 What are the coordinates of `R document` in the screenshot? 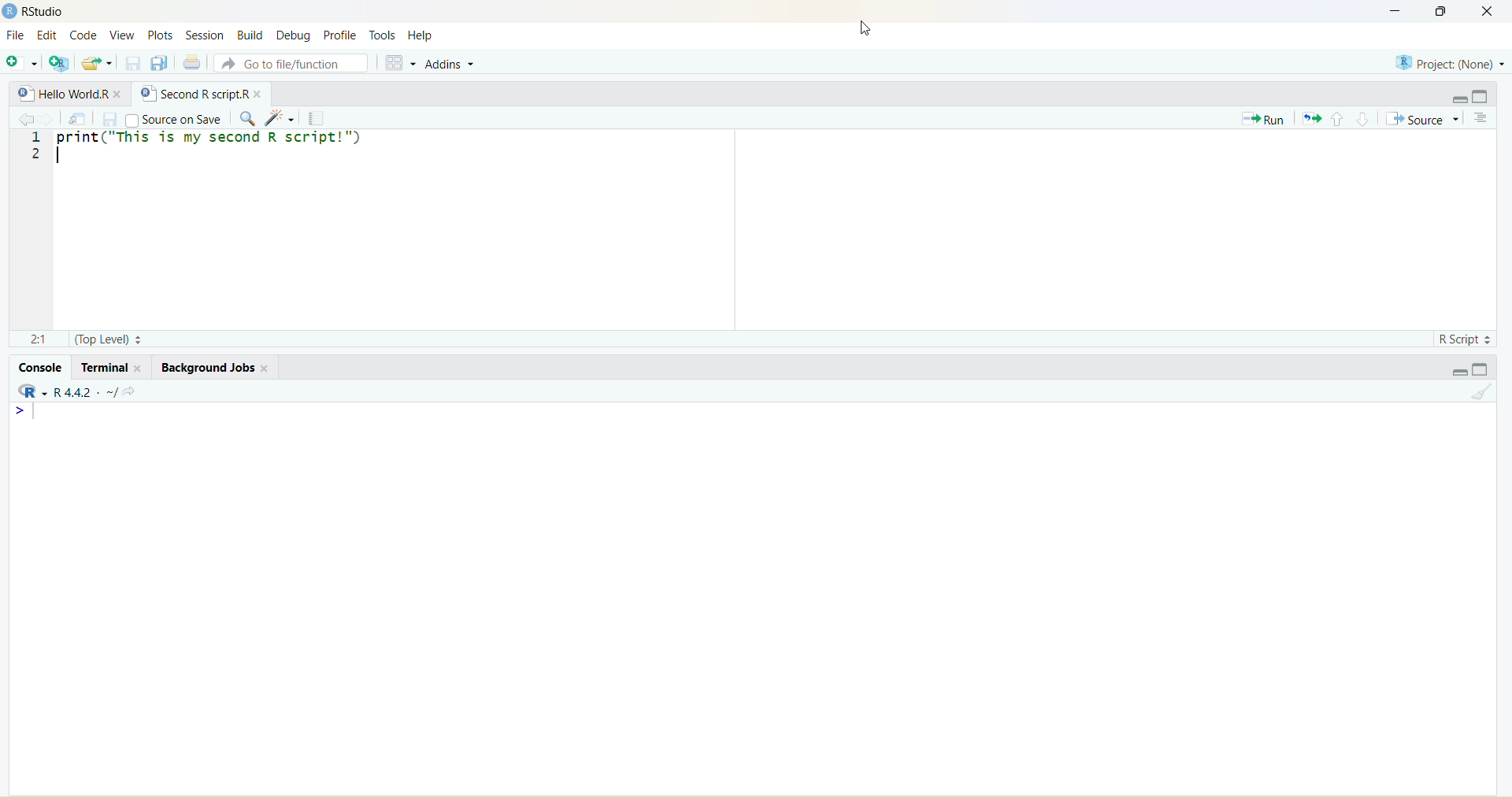 It's located at (26, 94).